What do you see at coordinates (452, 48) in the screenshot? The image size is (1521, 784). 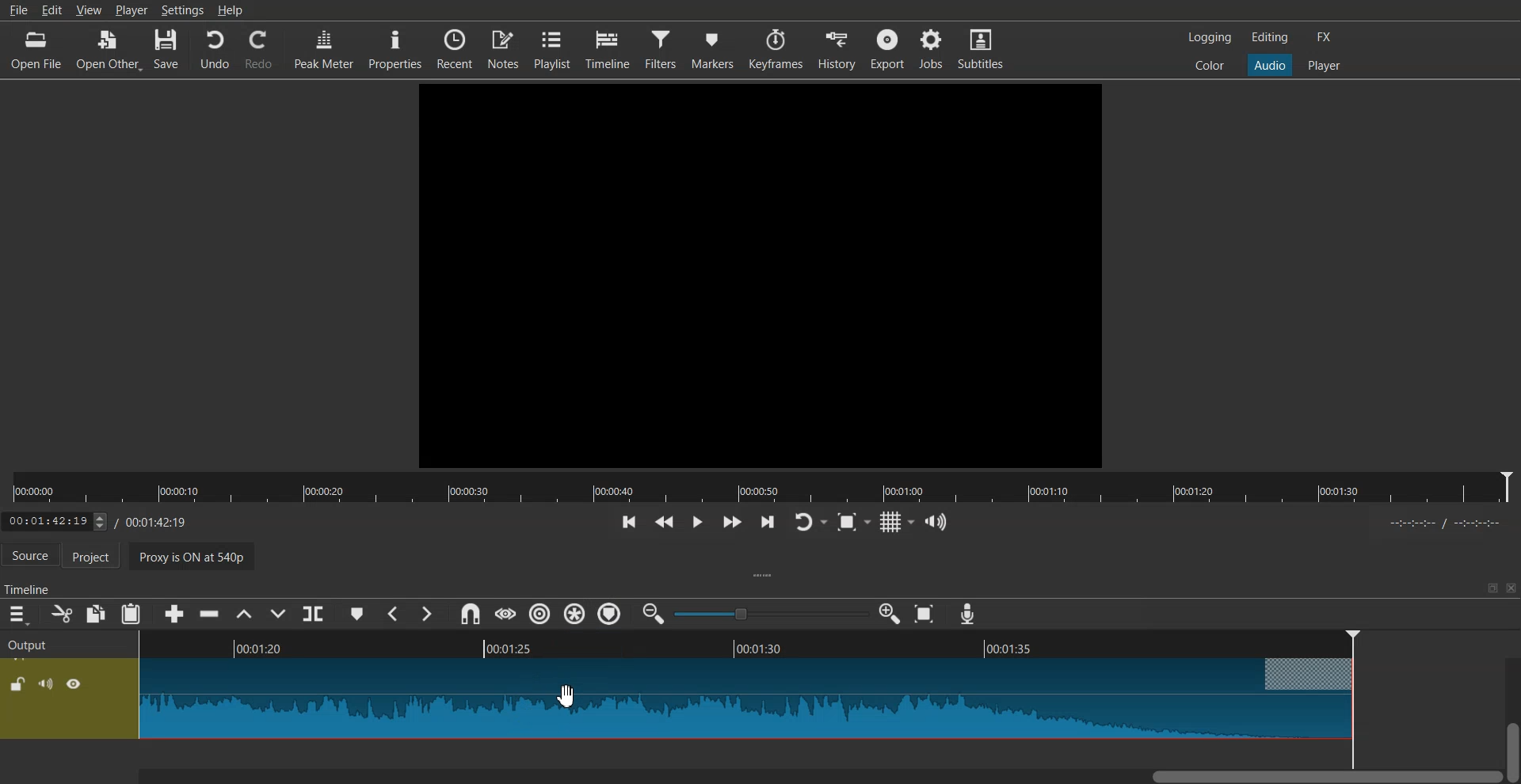 I see `Recent` at bounding box center [452, 48].